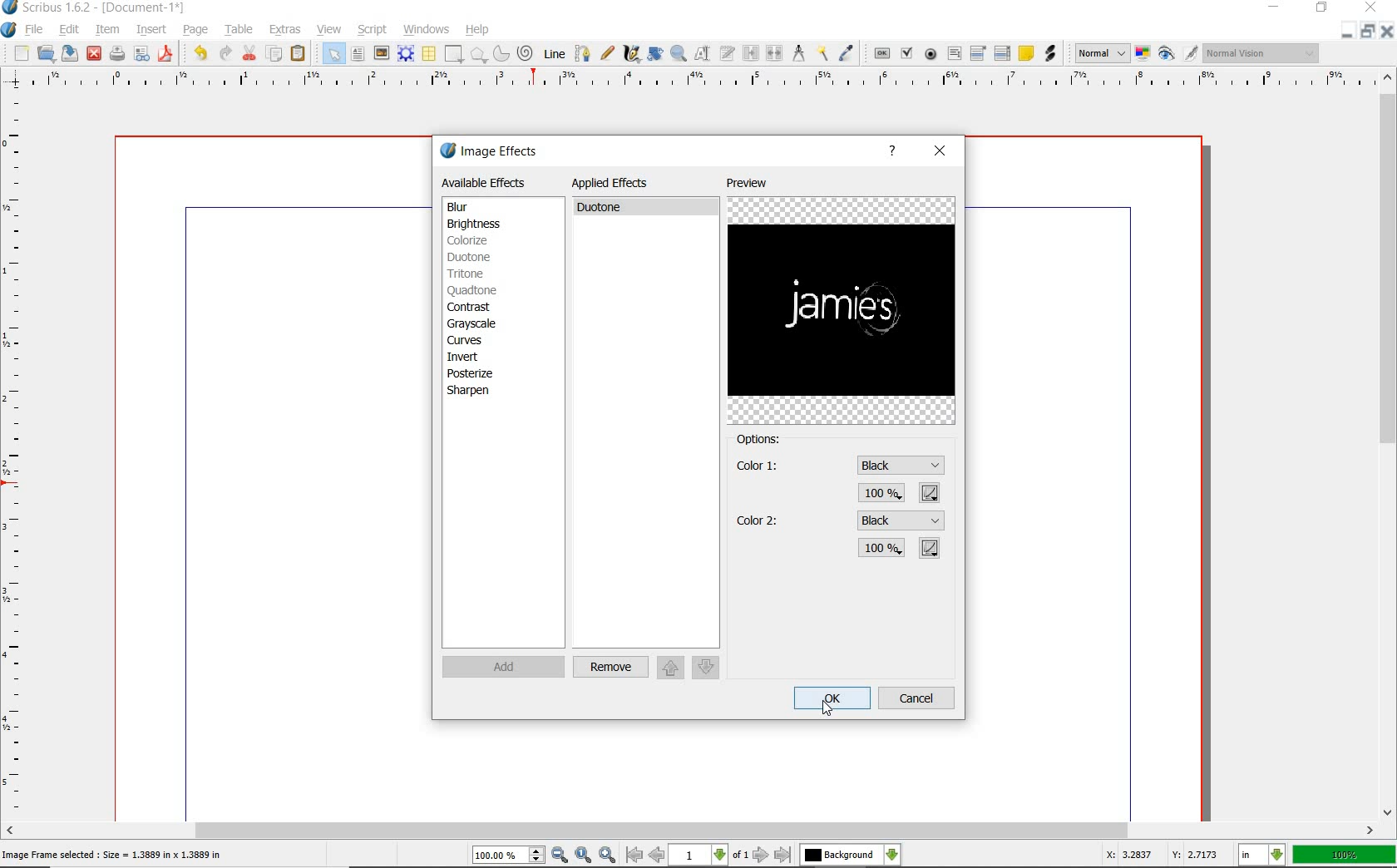 Image resolution: width=1397 pixels, height=868 pixels. What do you see at coordinates (1370, 31) in the screenshot?
I see `RESTORE` at bounding box center [1370, 31].